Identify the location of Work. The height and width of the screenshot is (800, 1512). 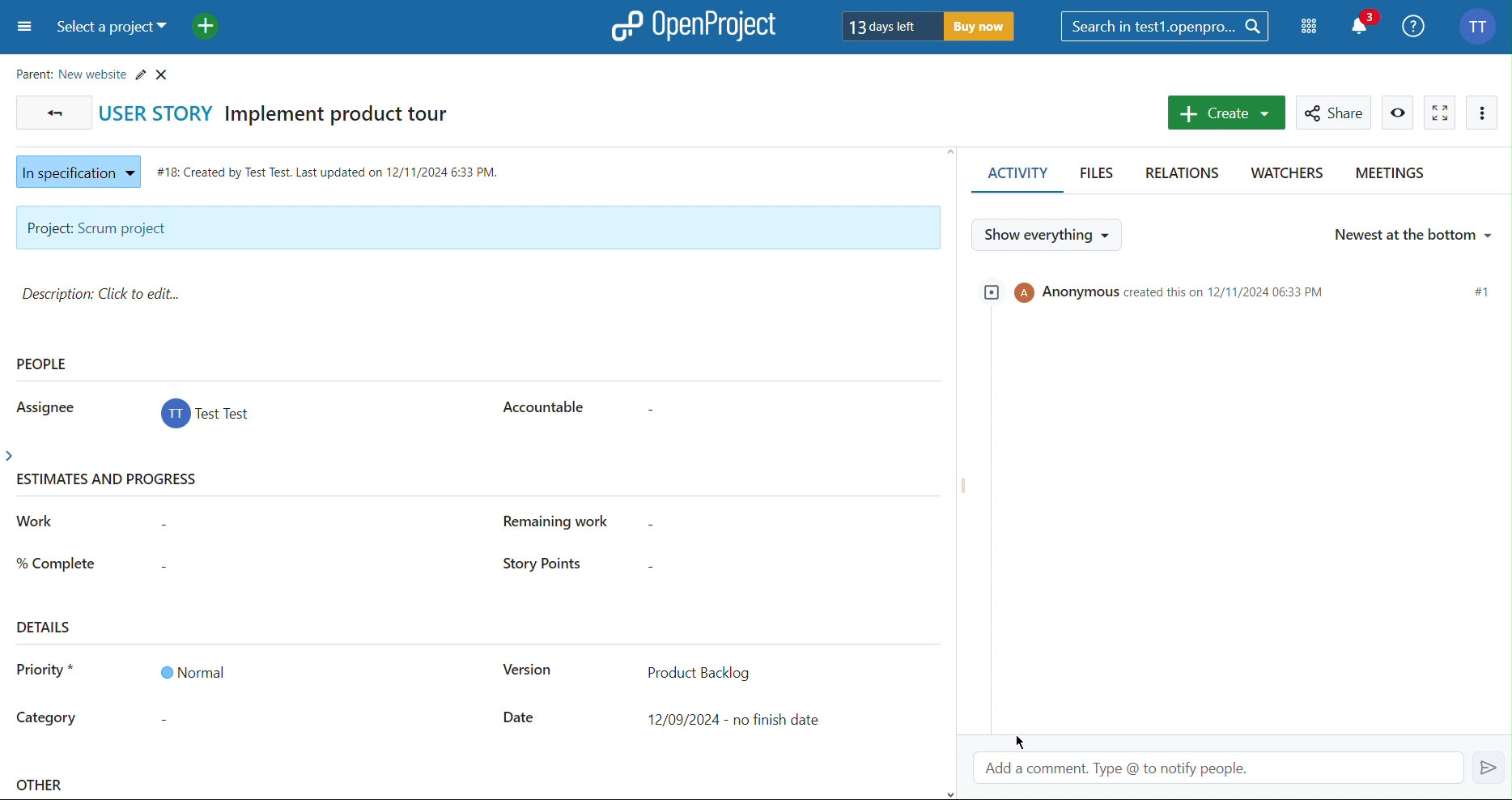
(36, 521).